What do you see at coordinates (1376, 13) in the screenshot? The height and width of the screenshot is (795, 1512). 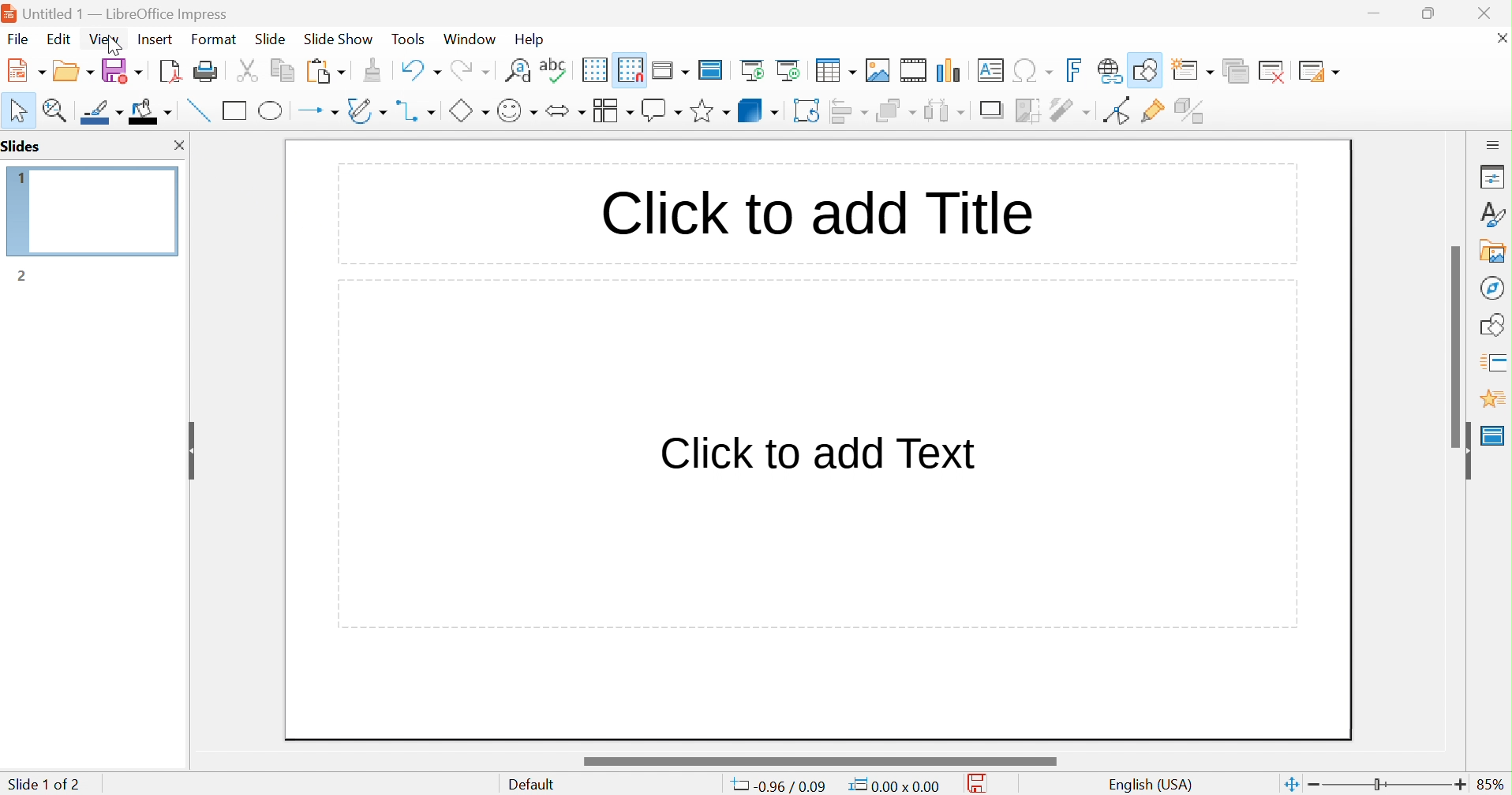 I see `minimize` at bounding box center [1376, 13].